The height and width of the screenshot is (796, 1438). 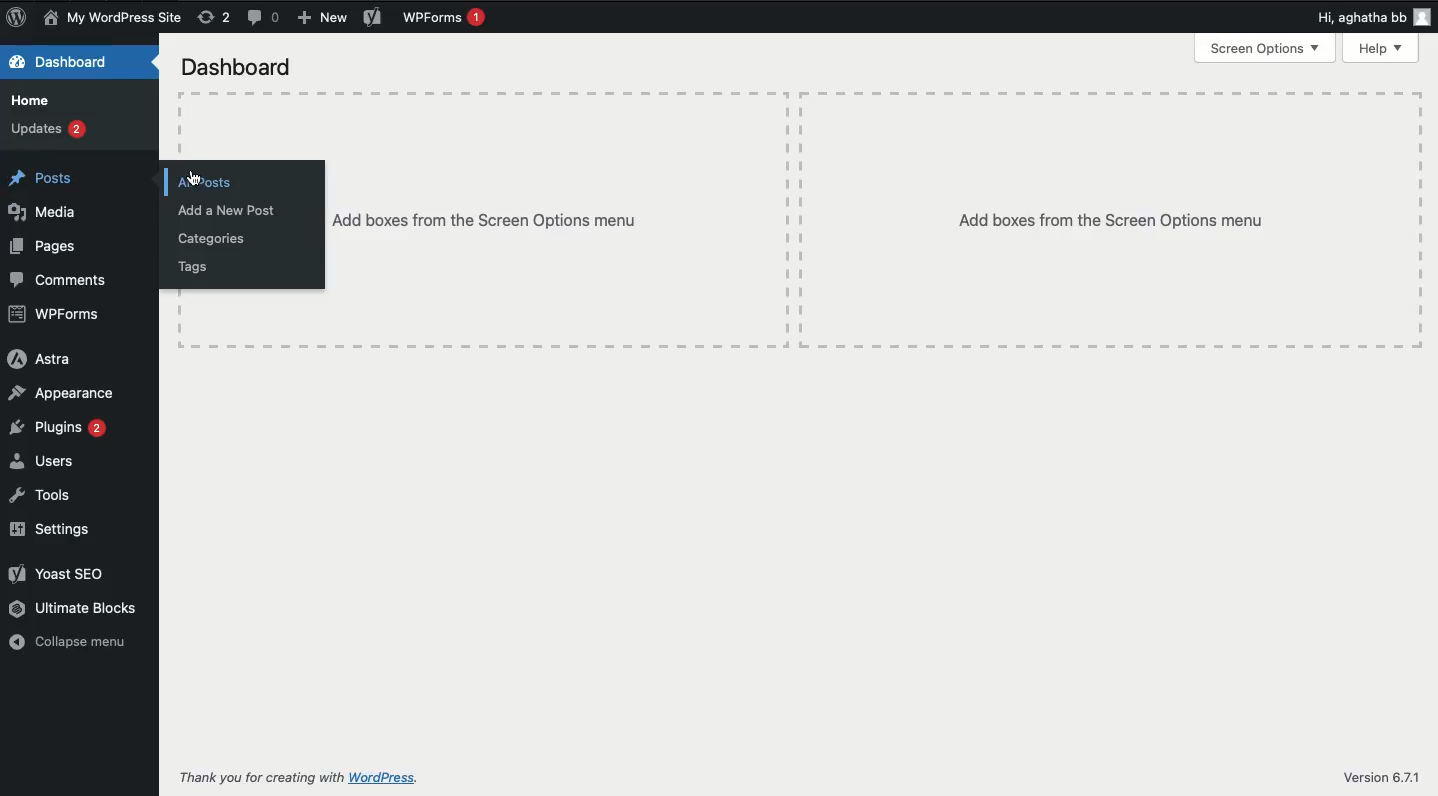 What do you see at coordinates (66, 640) in the screenshot?
I see `Collapse menu` at bounding box center [66, 640].